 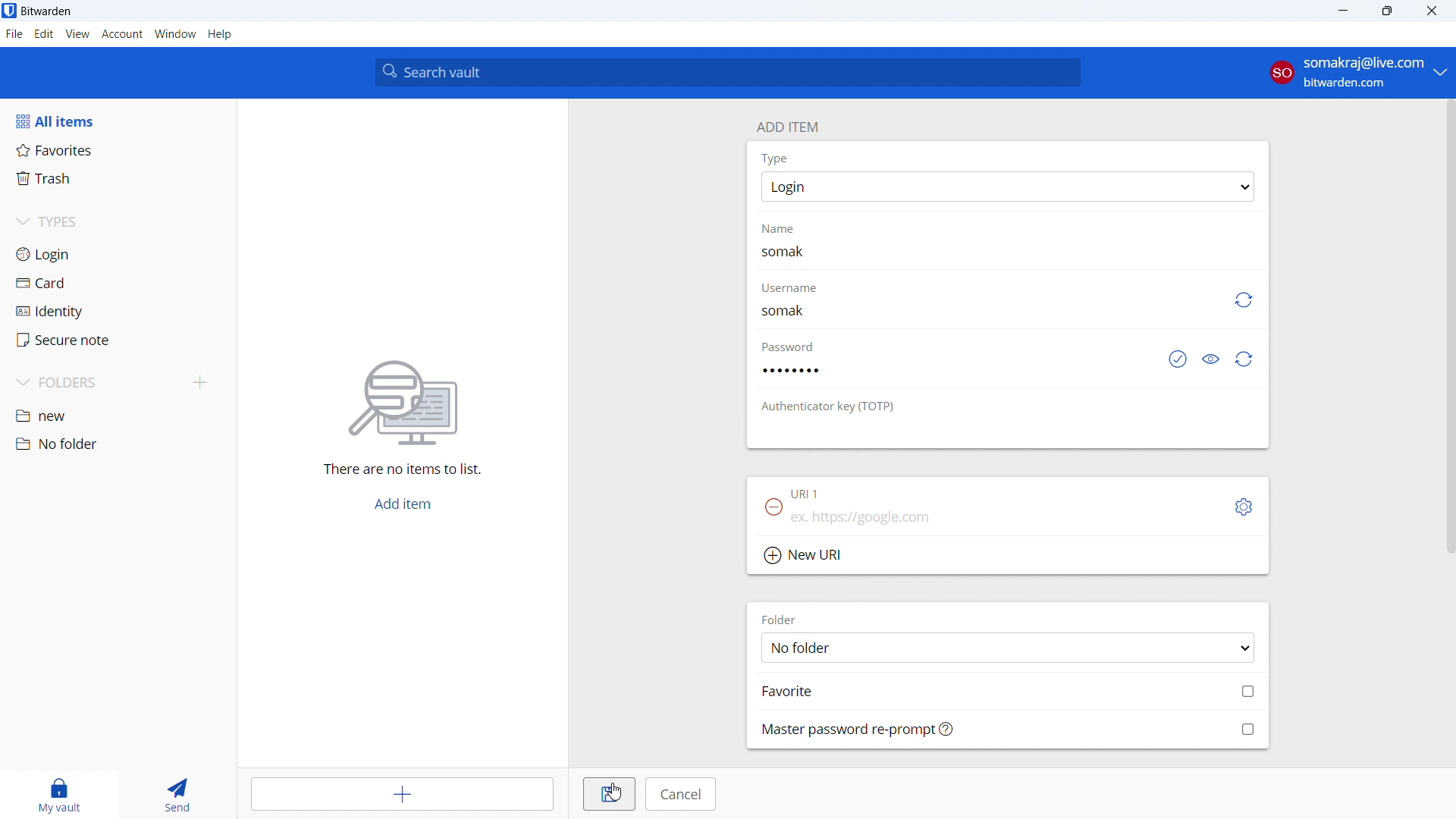 What do you see at coordinates (773, 507) in the screenshot?
I see `remove URl` at bounding box center [773, 507].